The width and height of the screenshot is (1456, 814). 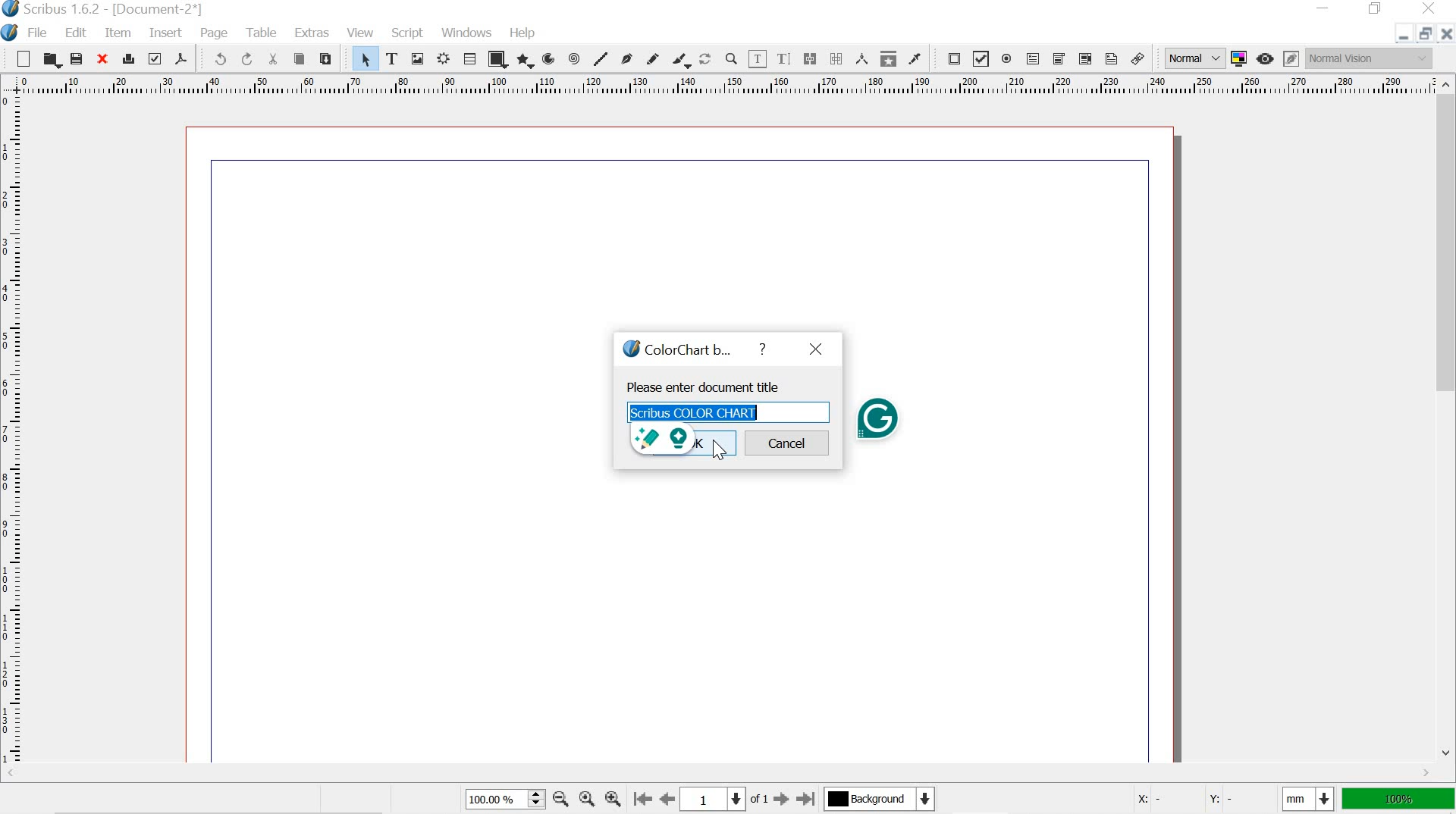 I want to click on extras, so click(x=314, y=33).